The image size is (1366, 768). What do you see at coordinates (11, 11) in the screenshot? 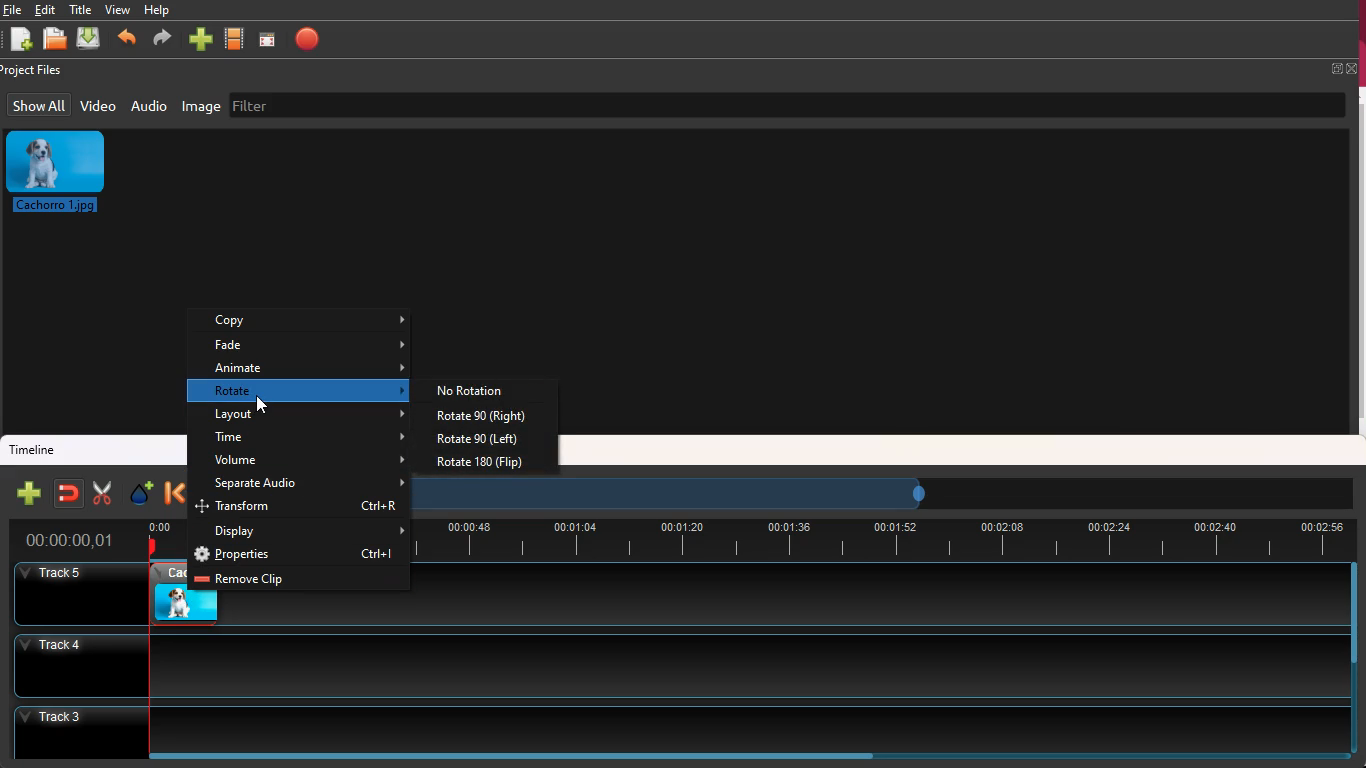
I see `file` at bounding box center [11, 11].